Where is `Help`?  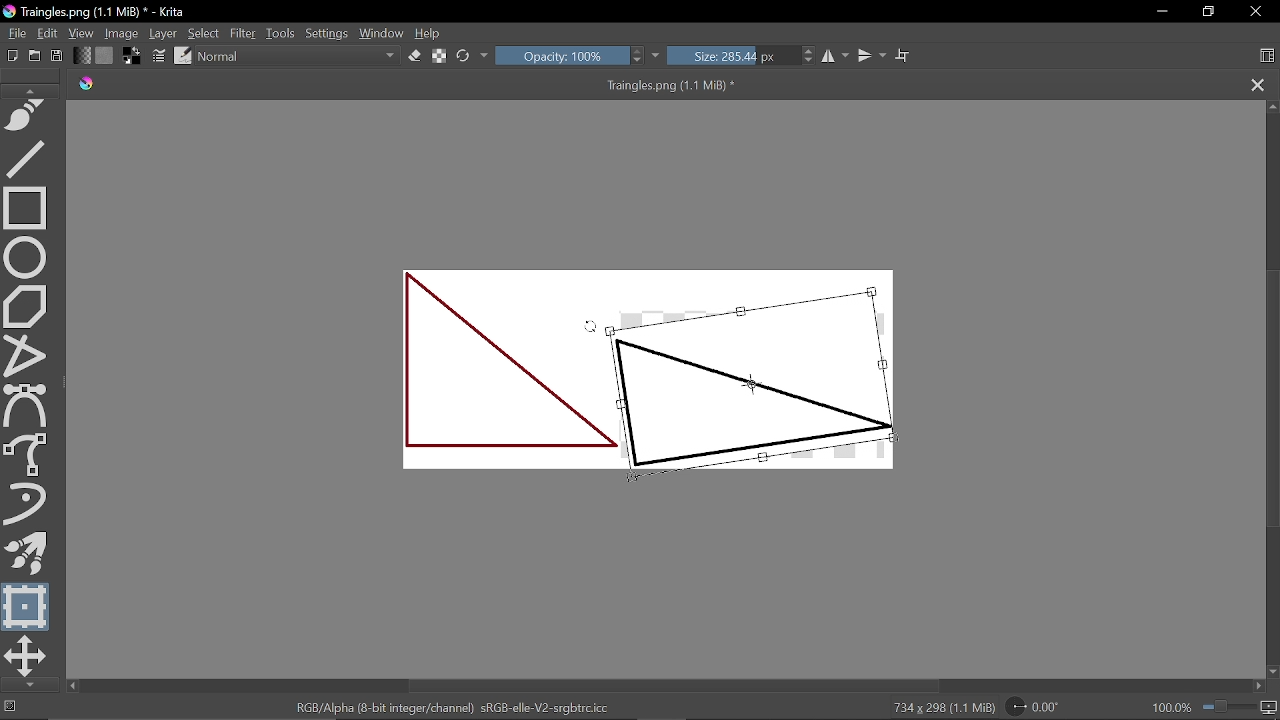 Help is located at coordinates (428, 34).